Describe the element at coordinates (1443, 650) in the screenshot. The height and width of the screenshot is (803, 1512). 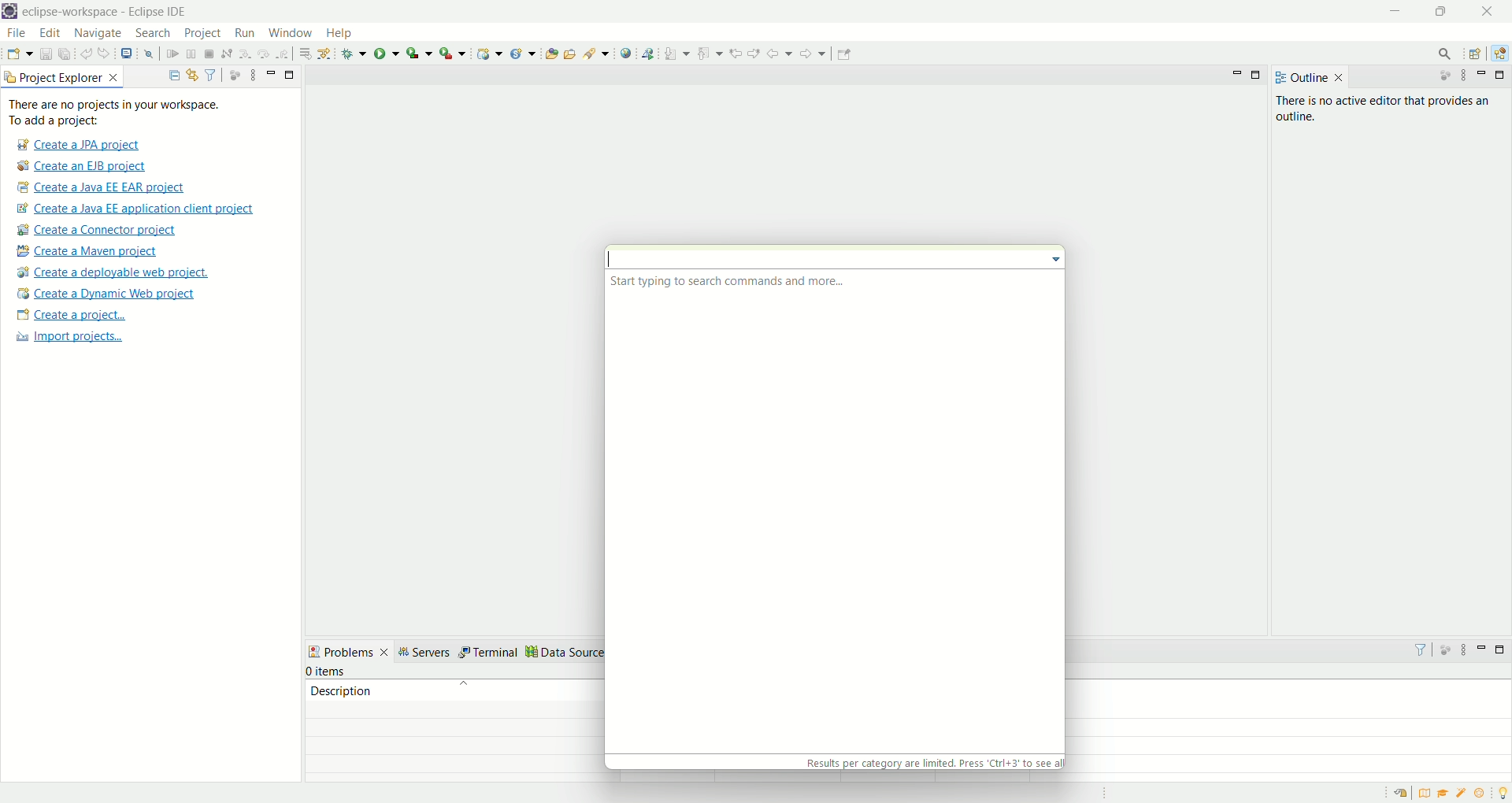
I see `focus on active task` at that location.